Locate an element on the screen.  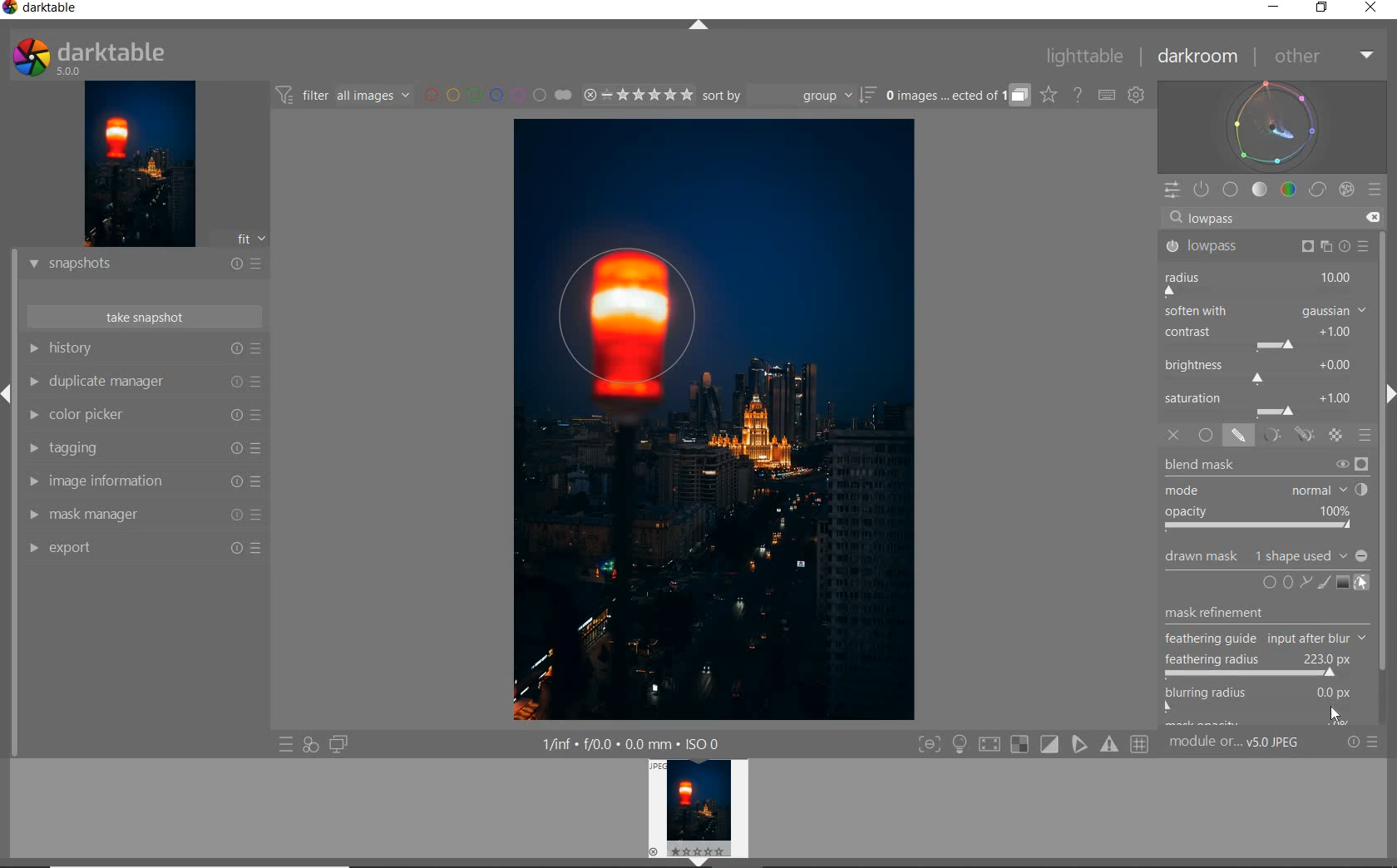
ADD GRADIENT is located at coordinates (1341, 583).